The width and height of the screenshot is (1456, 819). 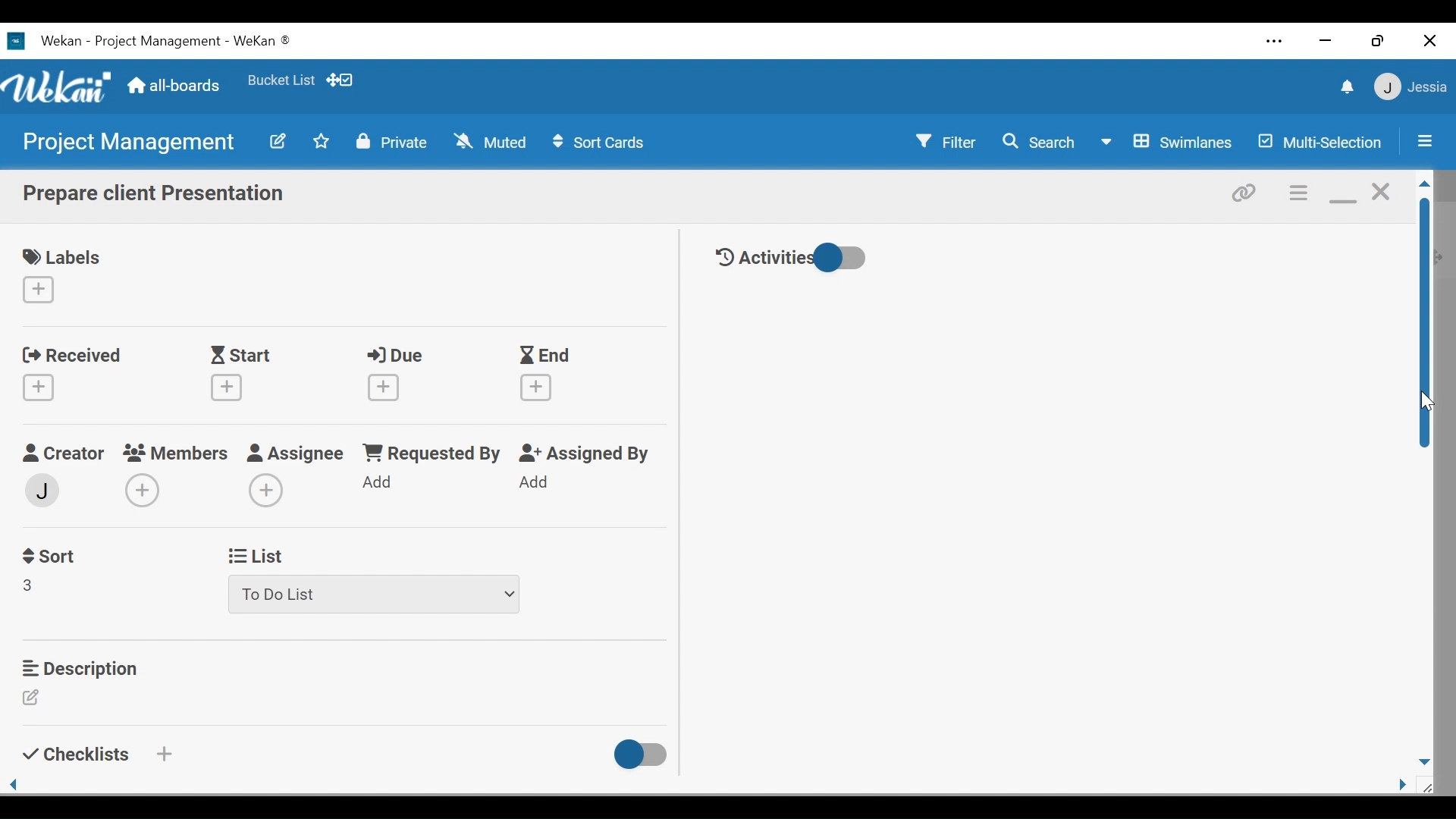 What do you see at coordinates (1381, 193) in the screenshot?
I see `close` at bounding box center [1381, 193].